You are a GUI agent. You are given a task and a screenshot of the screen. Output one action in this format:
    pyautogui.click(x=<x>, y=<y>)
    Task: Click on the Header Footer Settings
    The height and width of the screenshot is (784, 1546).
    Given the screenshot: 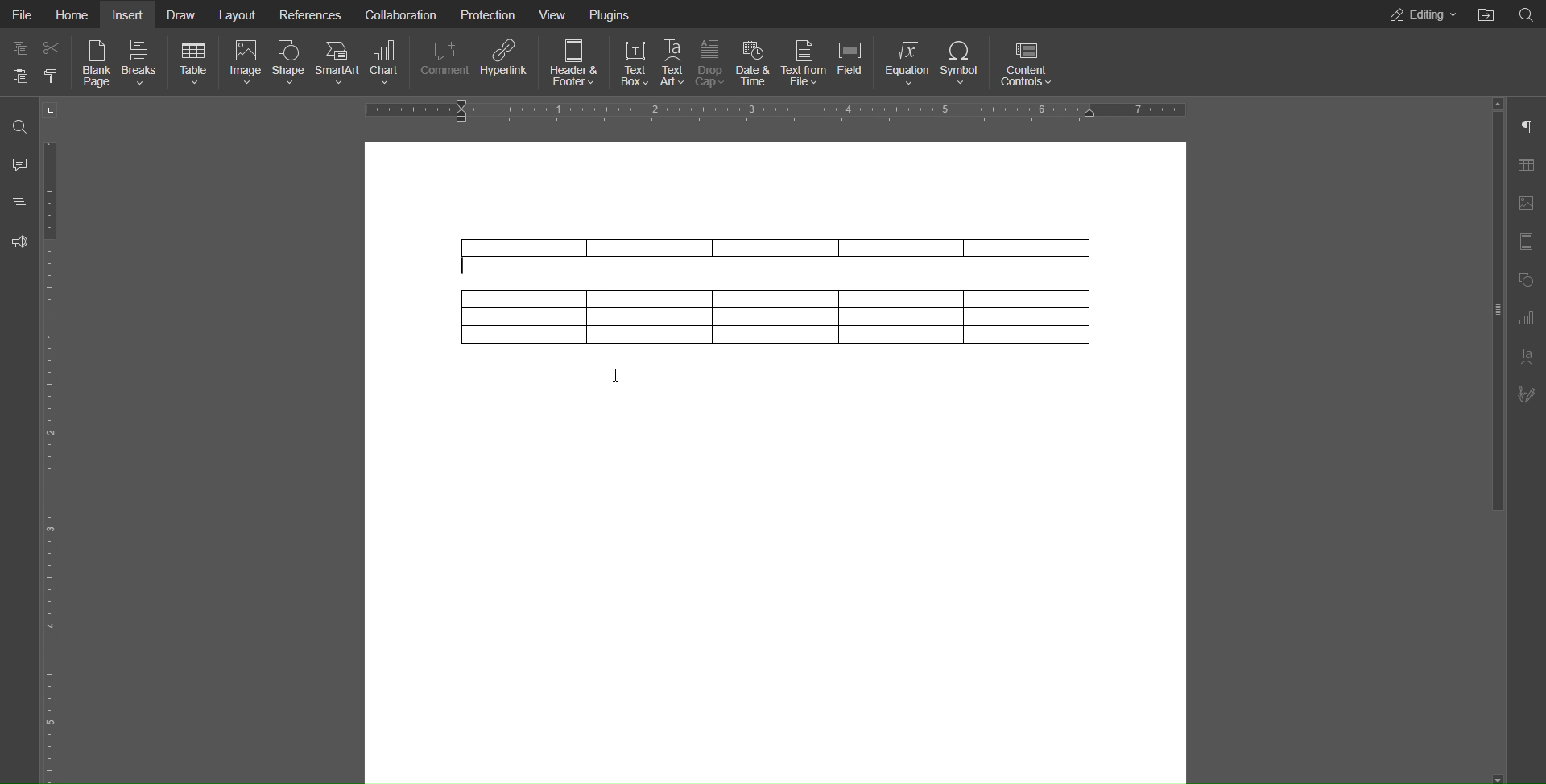 What is the action you would take?
    pyautogui.click(x=1527, y=243)
    